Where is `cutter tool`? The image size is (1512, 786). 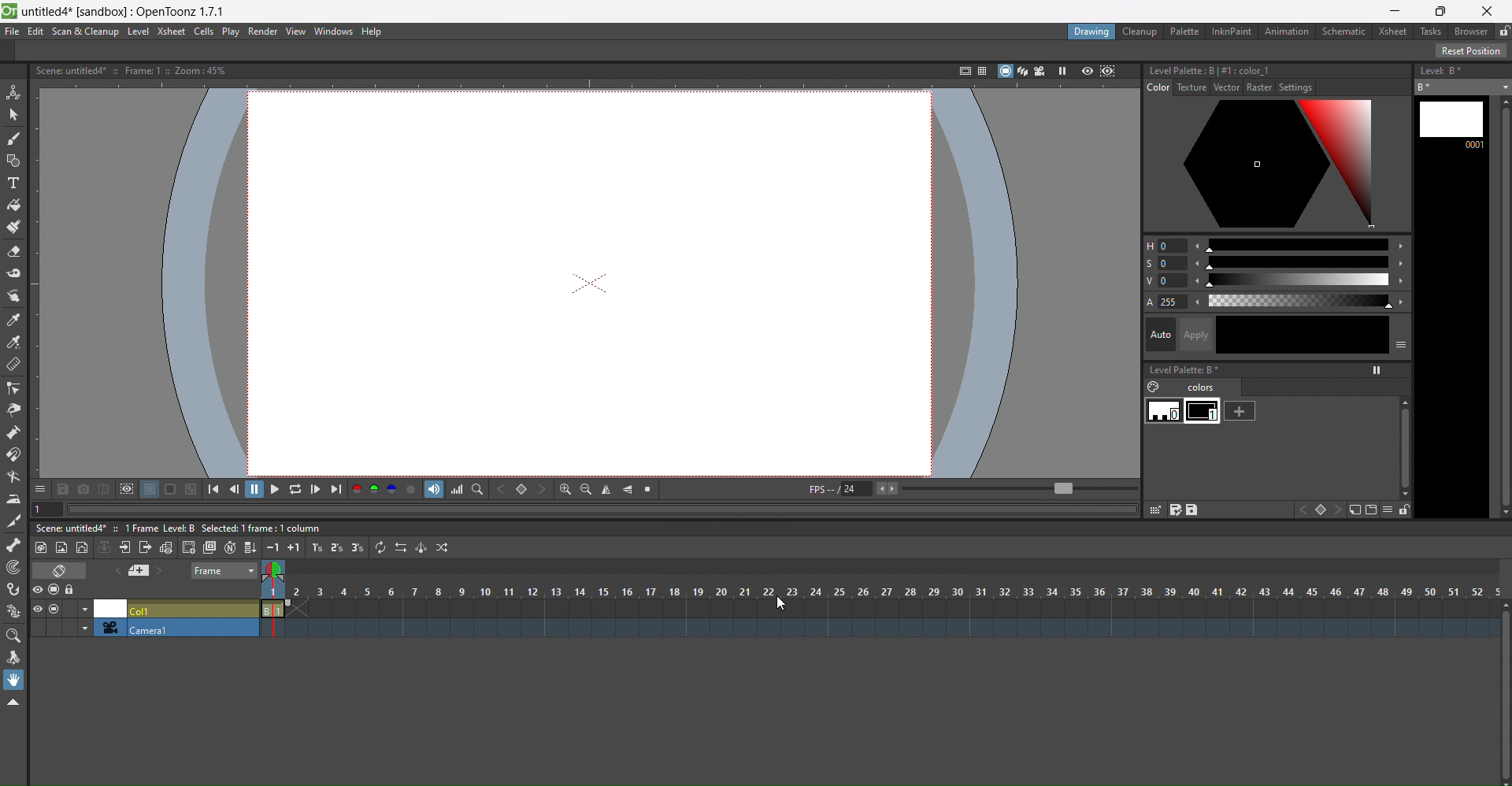
cutter tool is located at coordinates (12, 522).